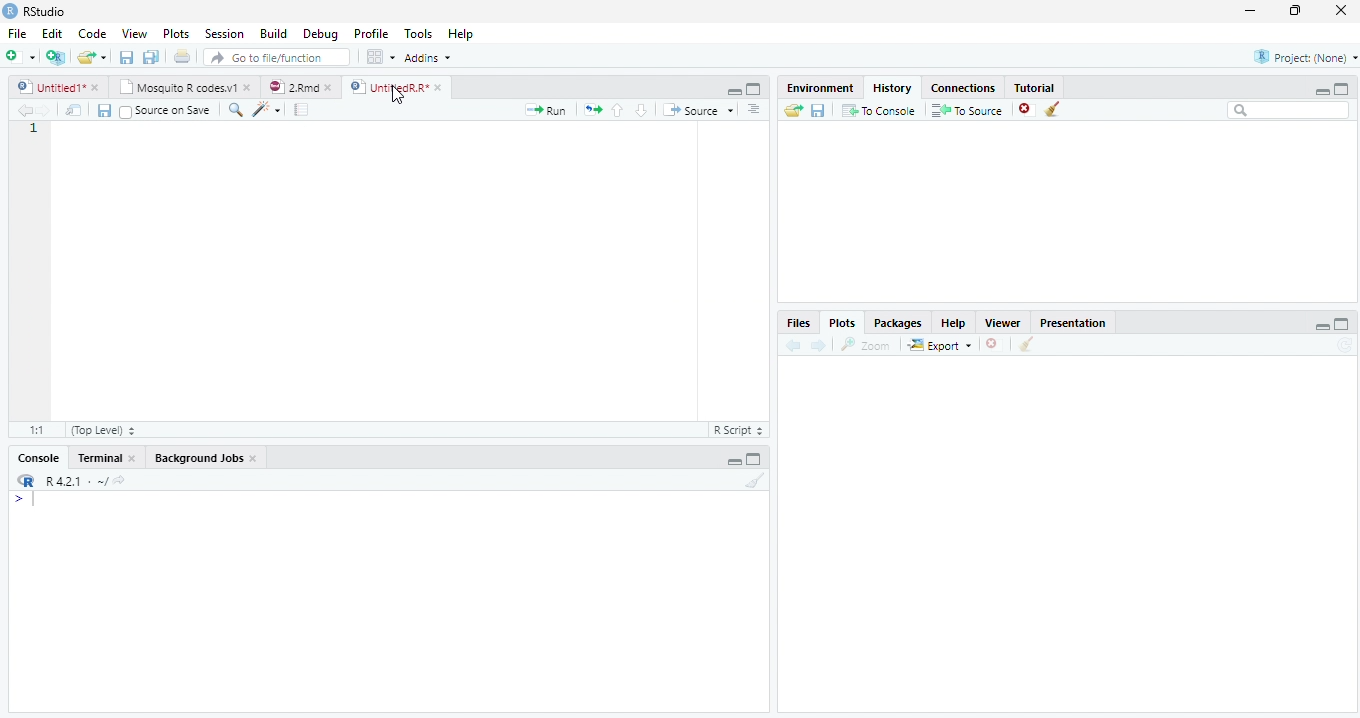 The image size is (1360, 718). I want to click on Save, so click(104, 110).